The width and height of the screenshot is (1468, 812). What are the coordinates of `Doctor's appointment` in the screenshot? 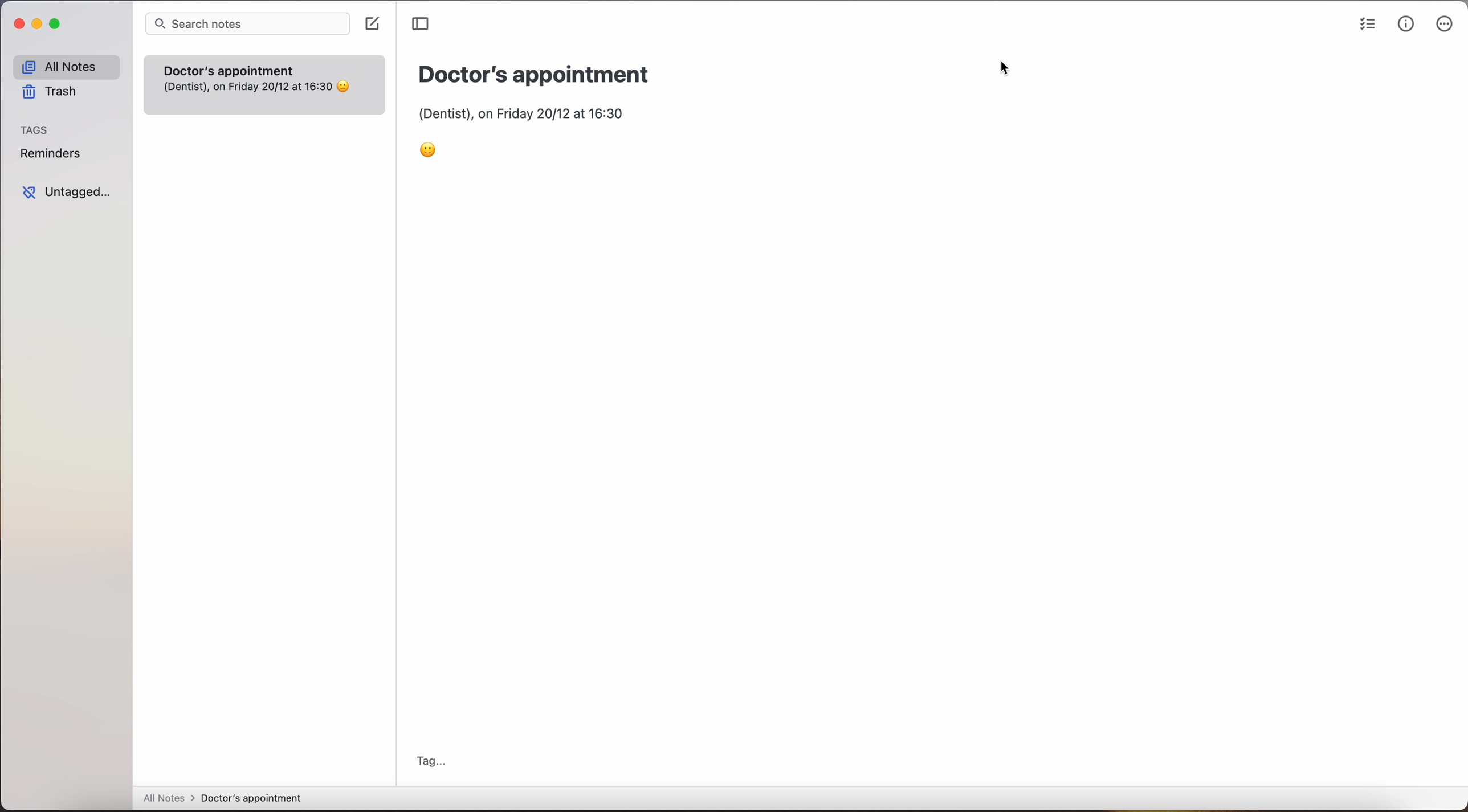 It's located at (228, 71).